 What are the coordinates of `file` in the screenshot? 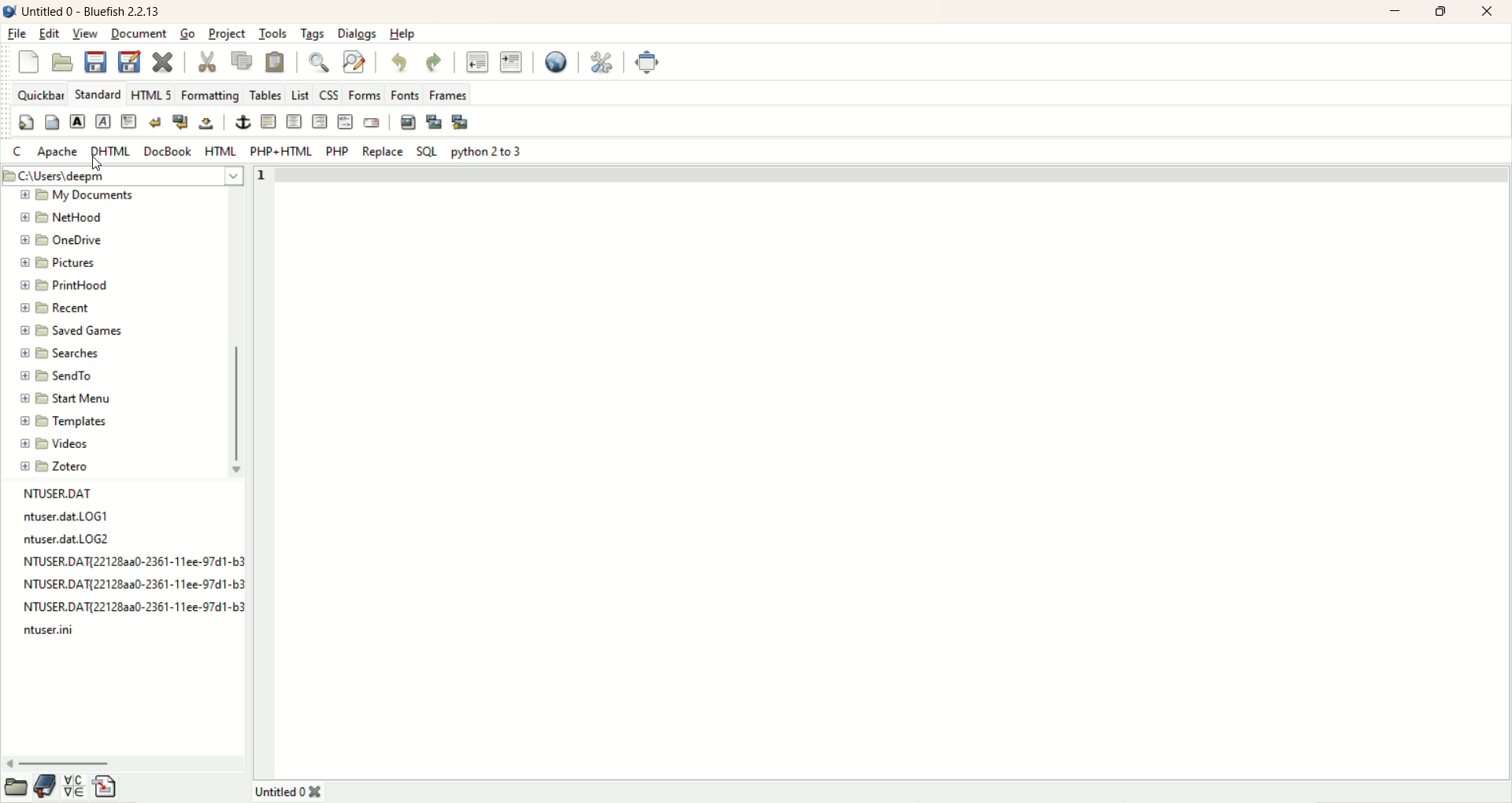 It's located at (18, 34).